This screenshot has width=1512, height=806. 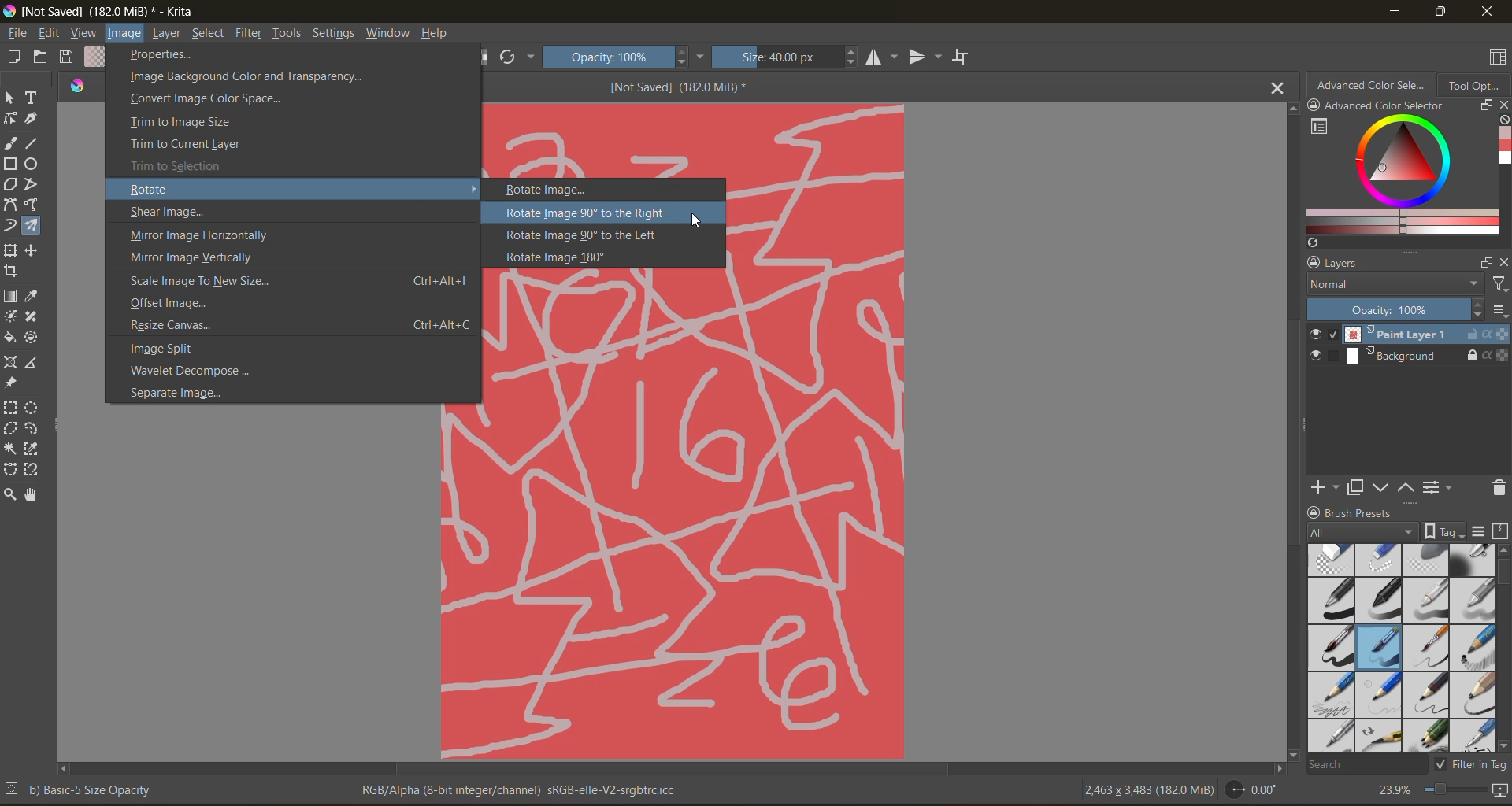 What do you see at coordinates (1362, 533) in the screenshot?
I see `tag` at bounding box center [1362, 533].